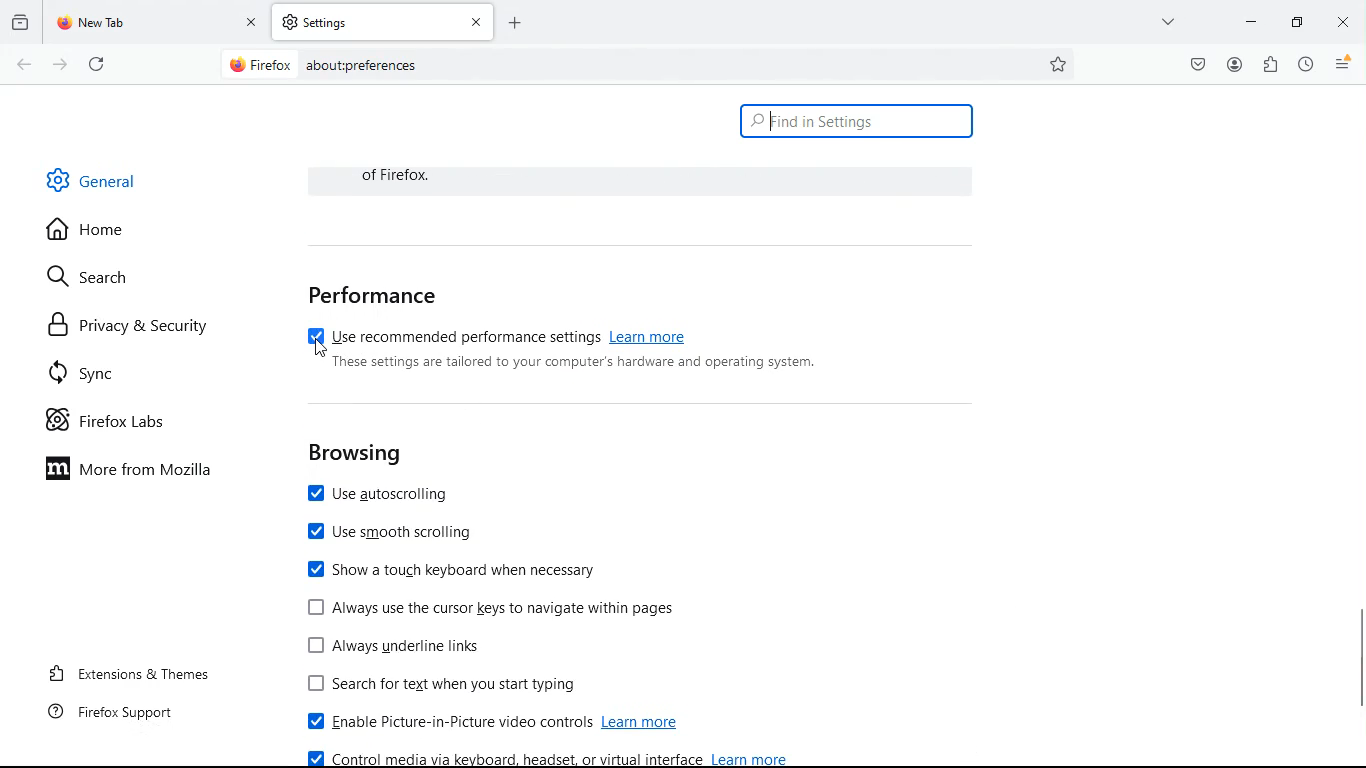 Image resolution: width=1366 pixels, height=768 pixels. What do you see at coordinates (407, 175) in the screenshot?
I see `of Firefox.` at bounding box center [407, 175].